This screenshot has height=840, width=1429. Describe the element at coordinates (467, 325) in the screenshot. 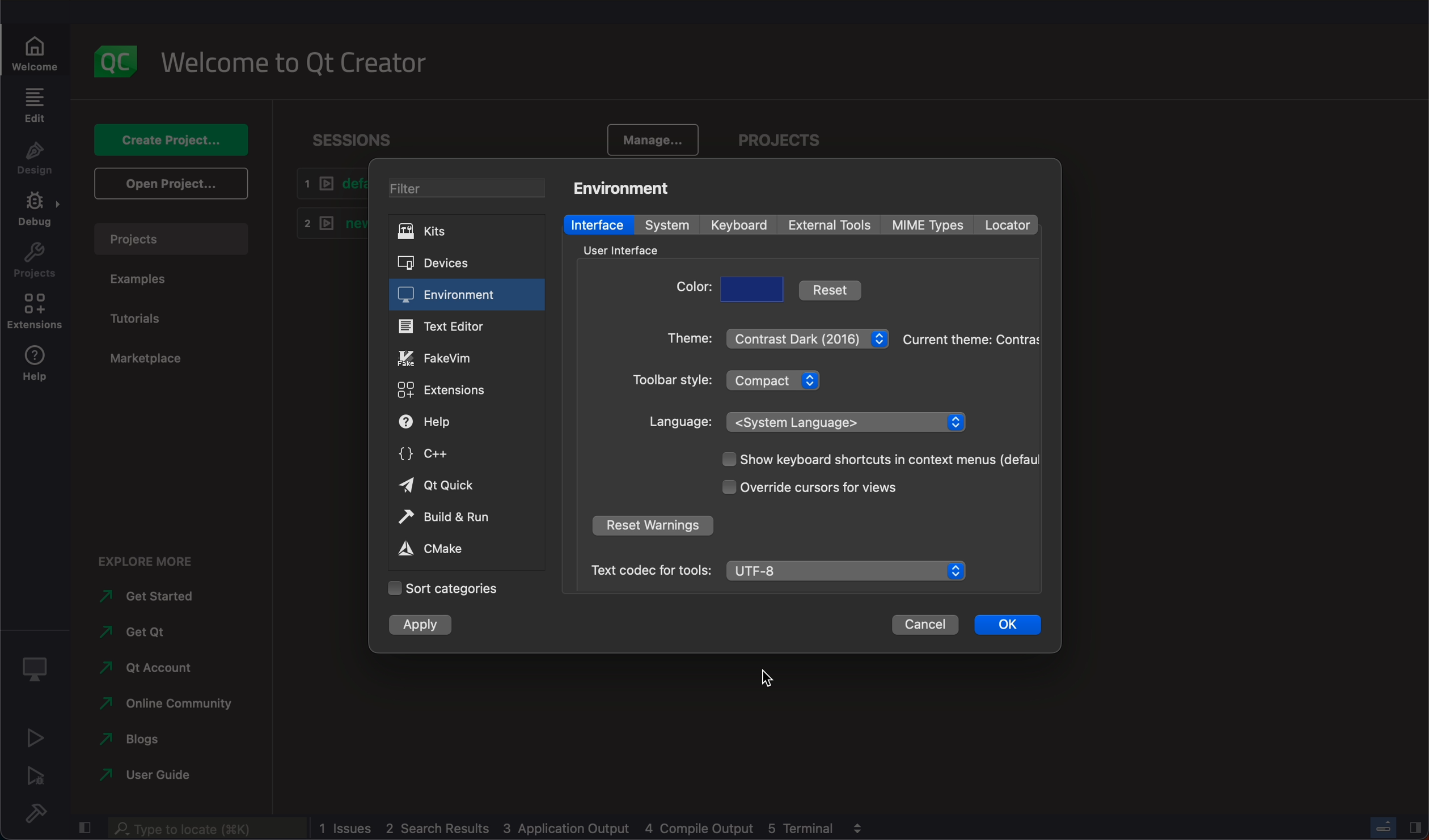

I see `text editor` at that location.